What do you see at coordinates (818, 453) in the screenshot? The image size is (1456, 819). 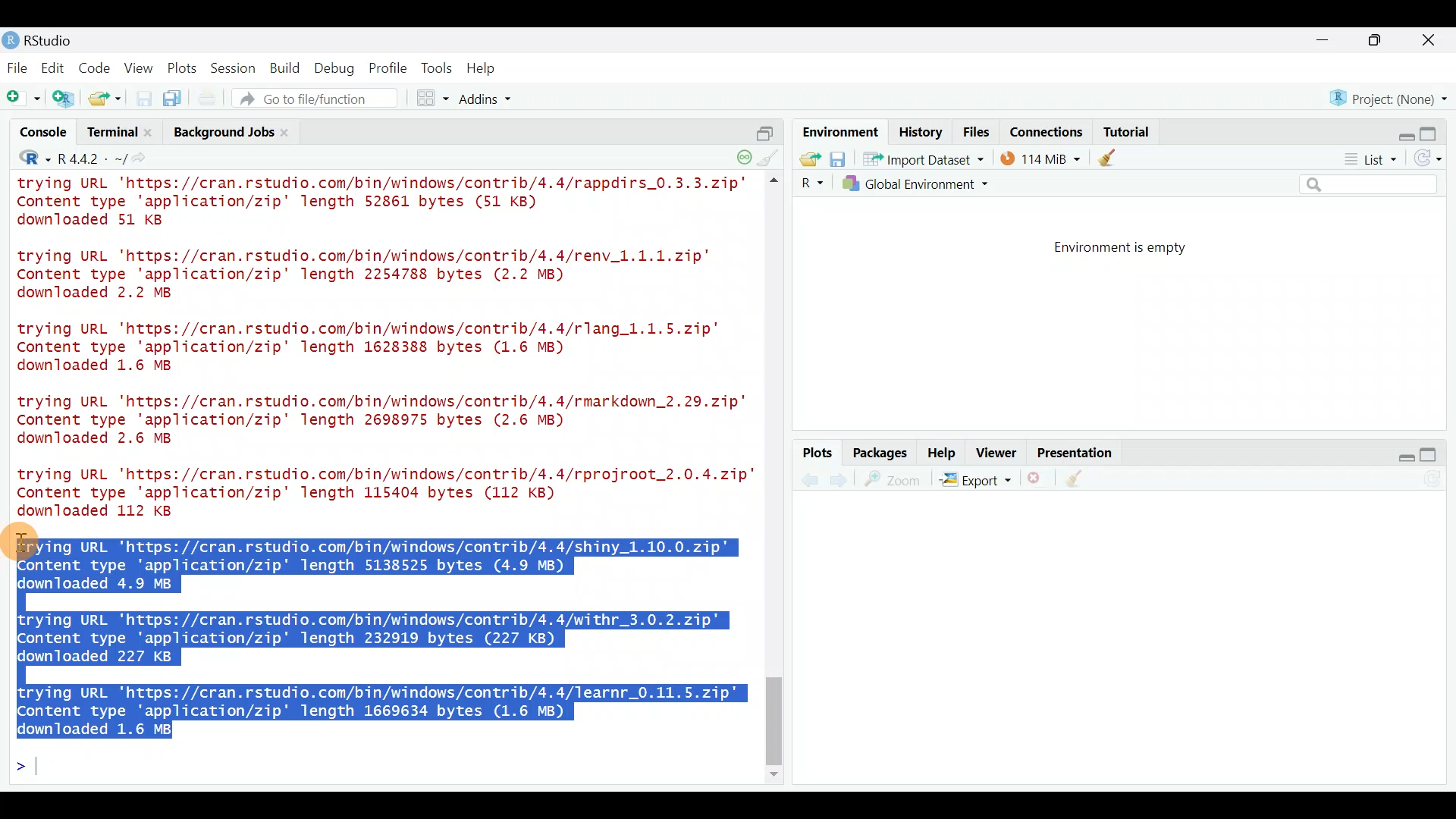 I see `Plots` at bounding box center [818, 453].